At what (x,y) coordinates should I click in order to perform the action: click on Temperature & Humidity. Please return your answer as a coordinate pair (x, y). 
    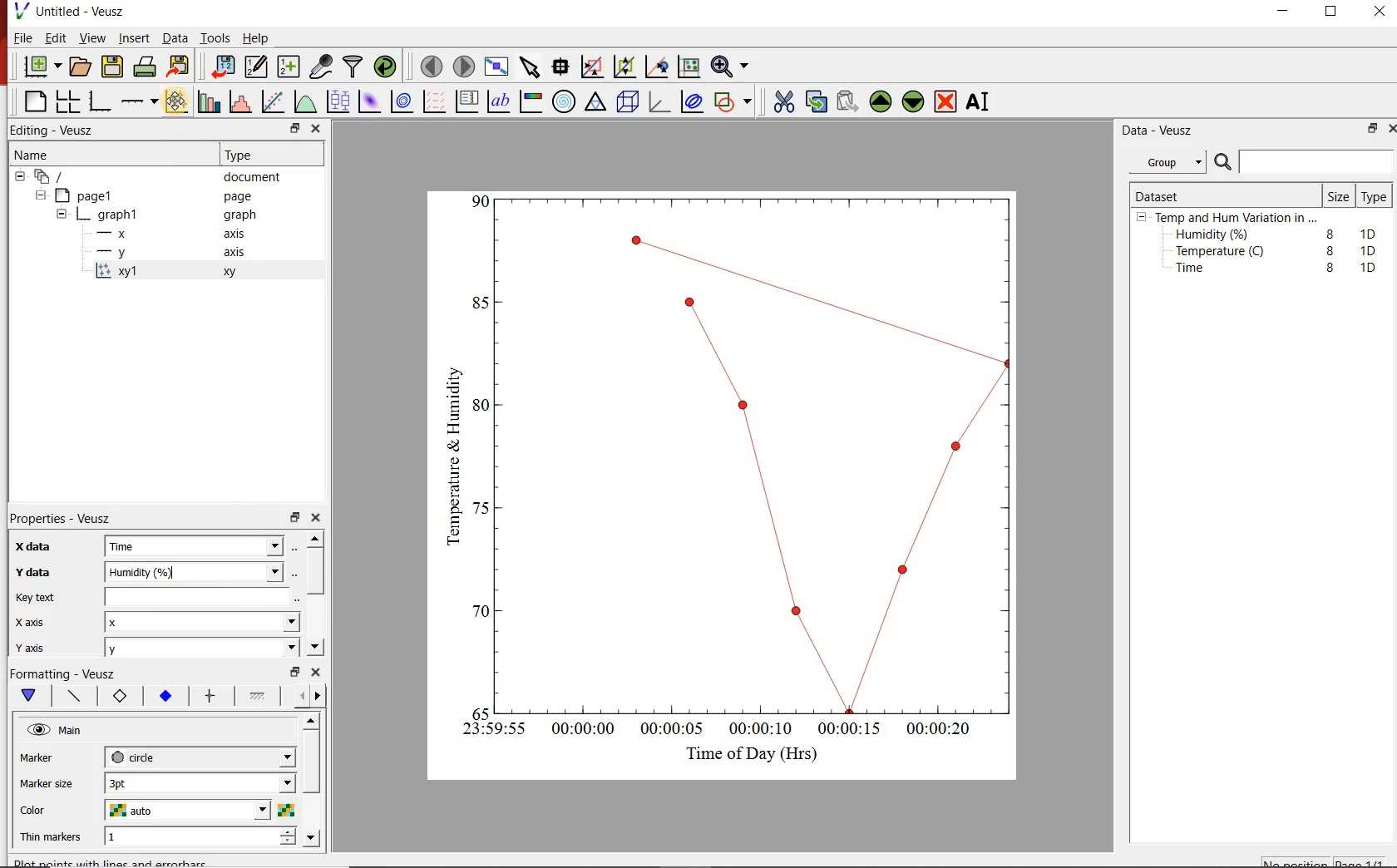
    Looking at the image, I should click on (449, 451).